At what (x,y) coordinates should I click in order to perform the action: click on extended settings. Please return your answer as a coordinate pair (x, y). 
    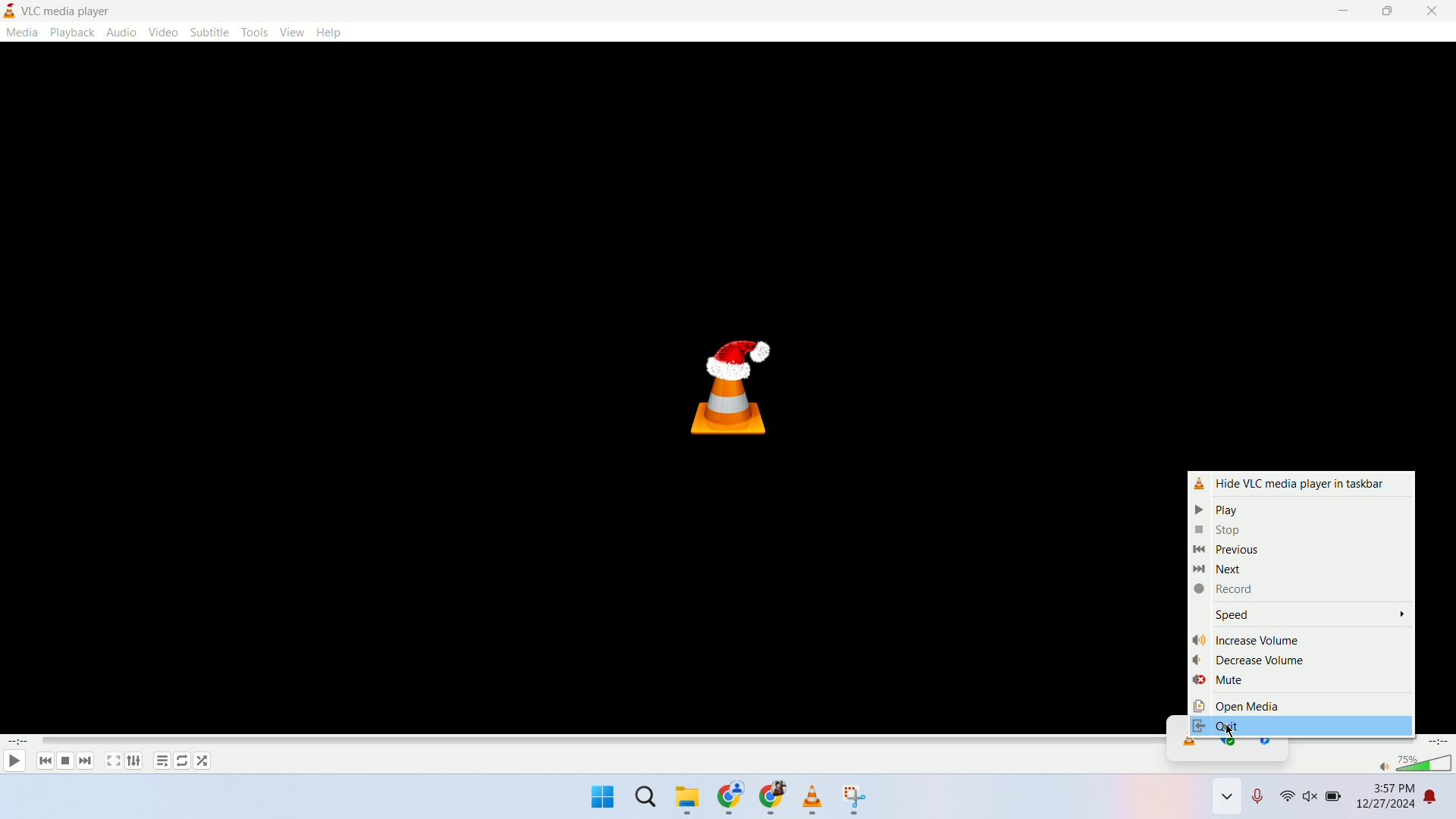
    Looking at the image, I should click on (133, 761).